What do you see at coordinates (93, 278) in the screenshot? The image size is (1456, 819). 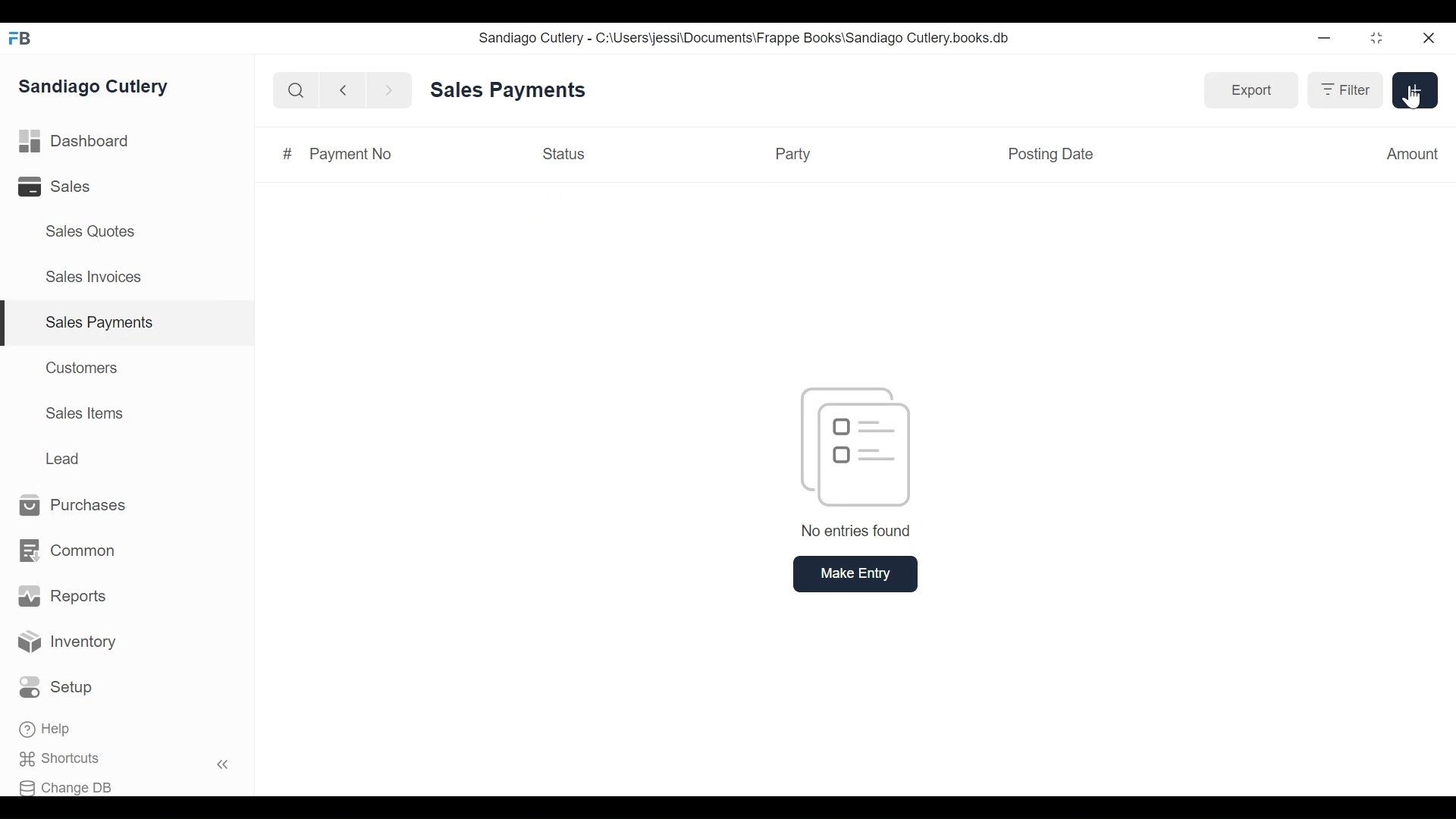 I see `Sales Invoices` at bounding box center [93, 278].